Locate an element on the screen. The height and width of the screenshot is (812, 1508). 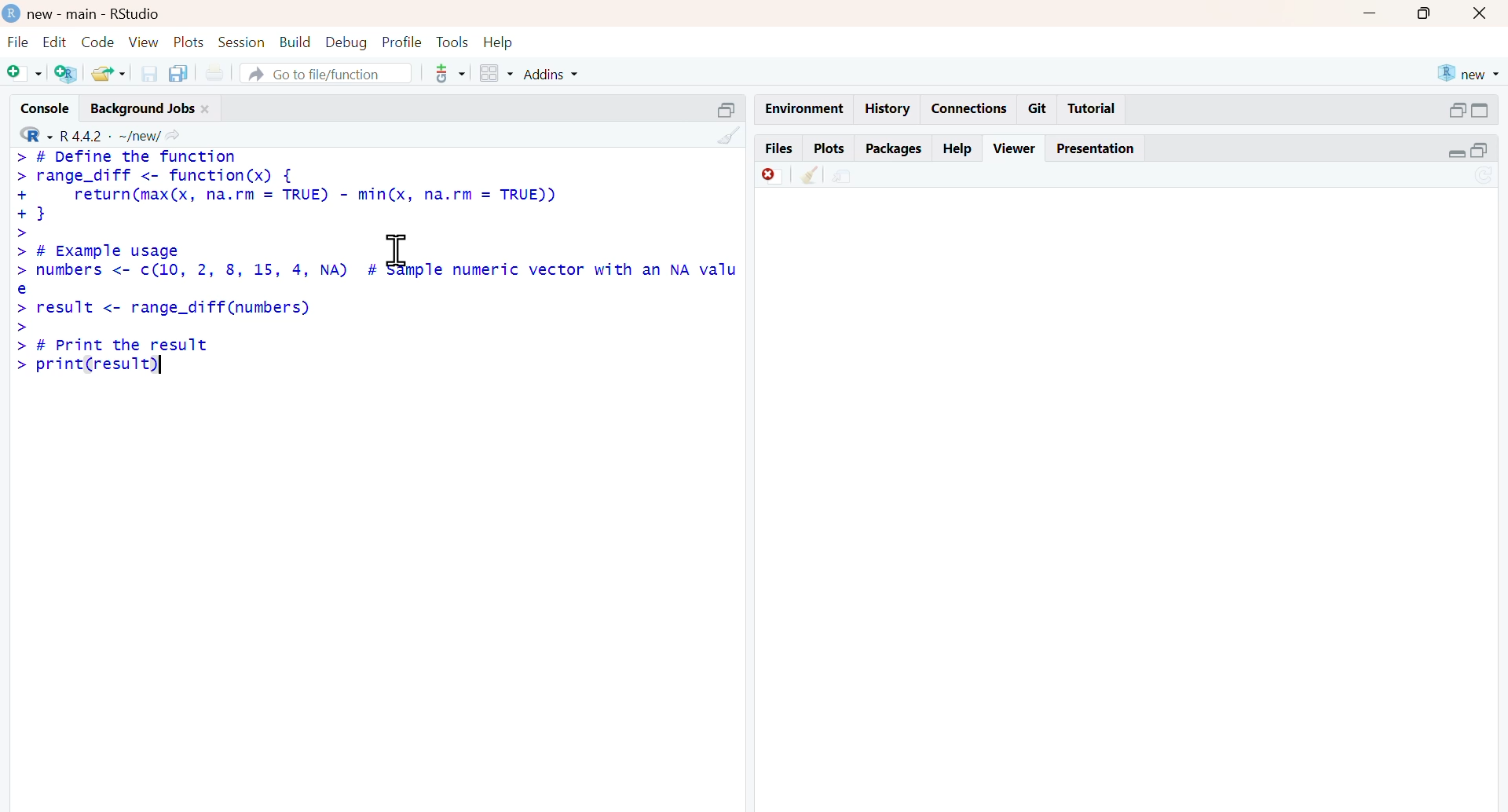
add file as is located at coordinates (26, 74).